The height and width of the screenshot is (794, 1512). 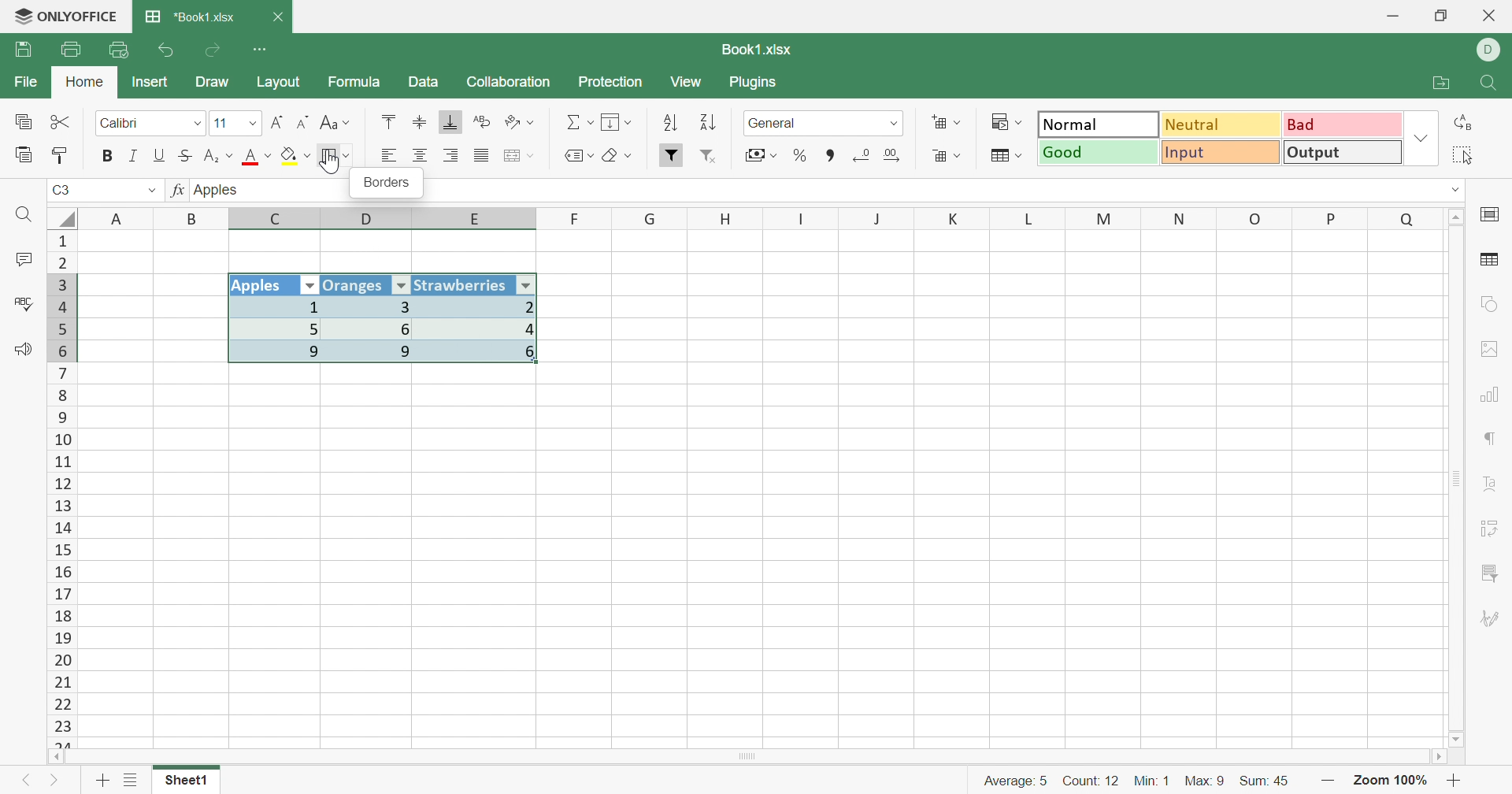 What do you see at coordinates (372, 306) in the screenshot?
I see `3` at bounding box center [372, 306].